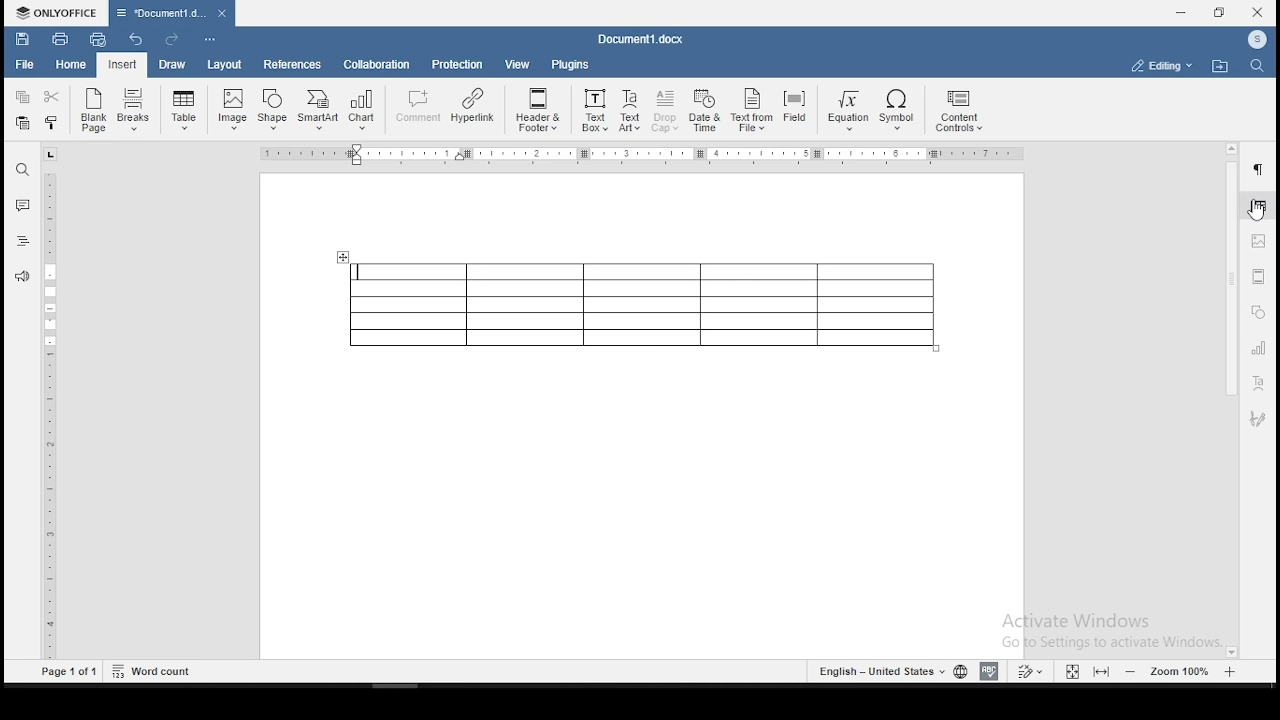  I want to click on Document3.docx, so click(644, 39).